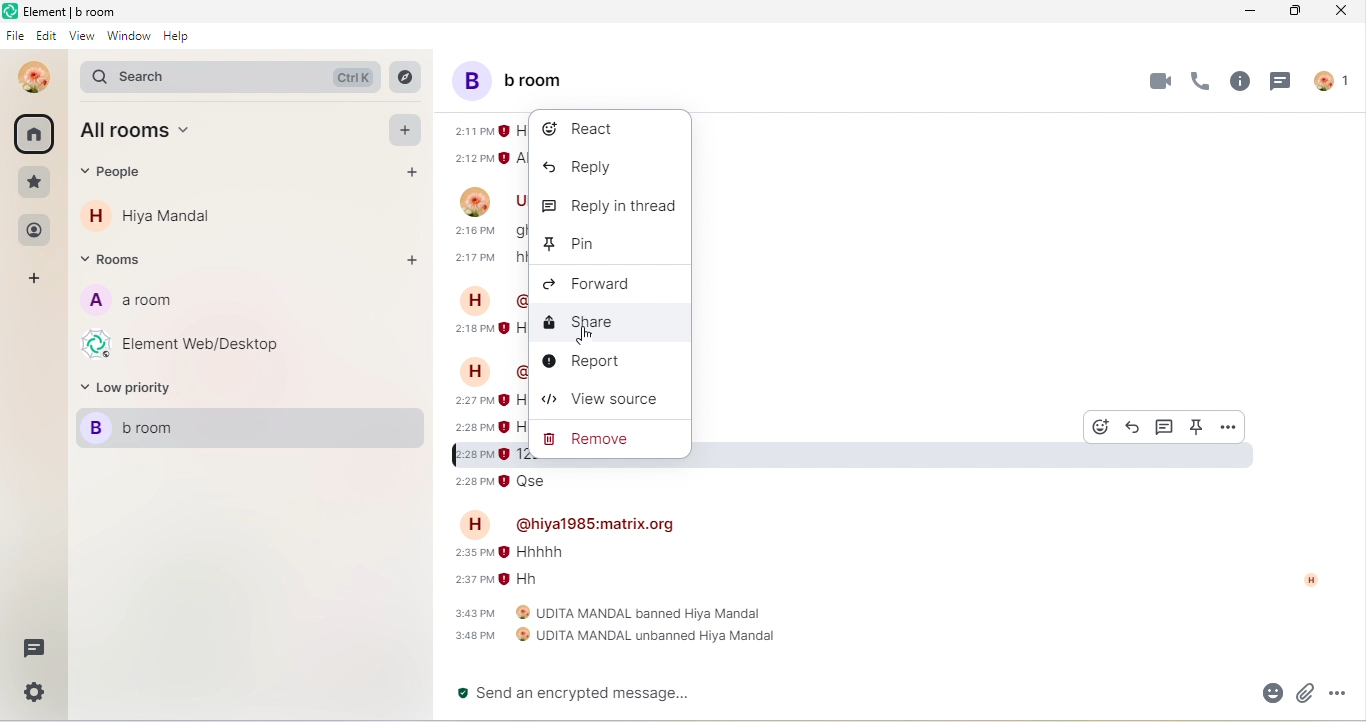  Describe the element at coordinates (1102, 425) in the screenshot. I see `react` at that location.